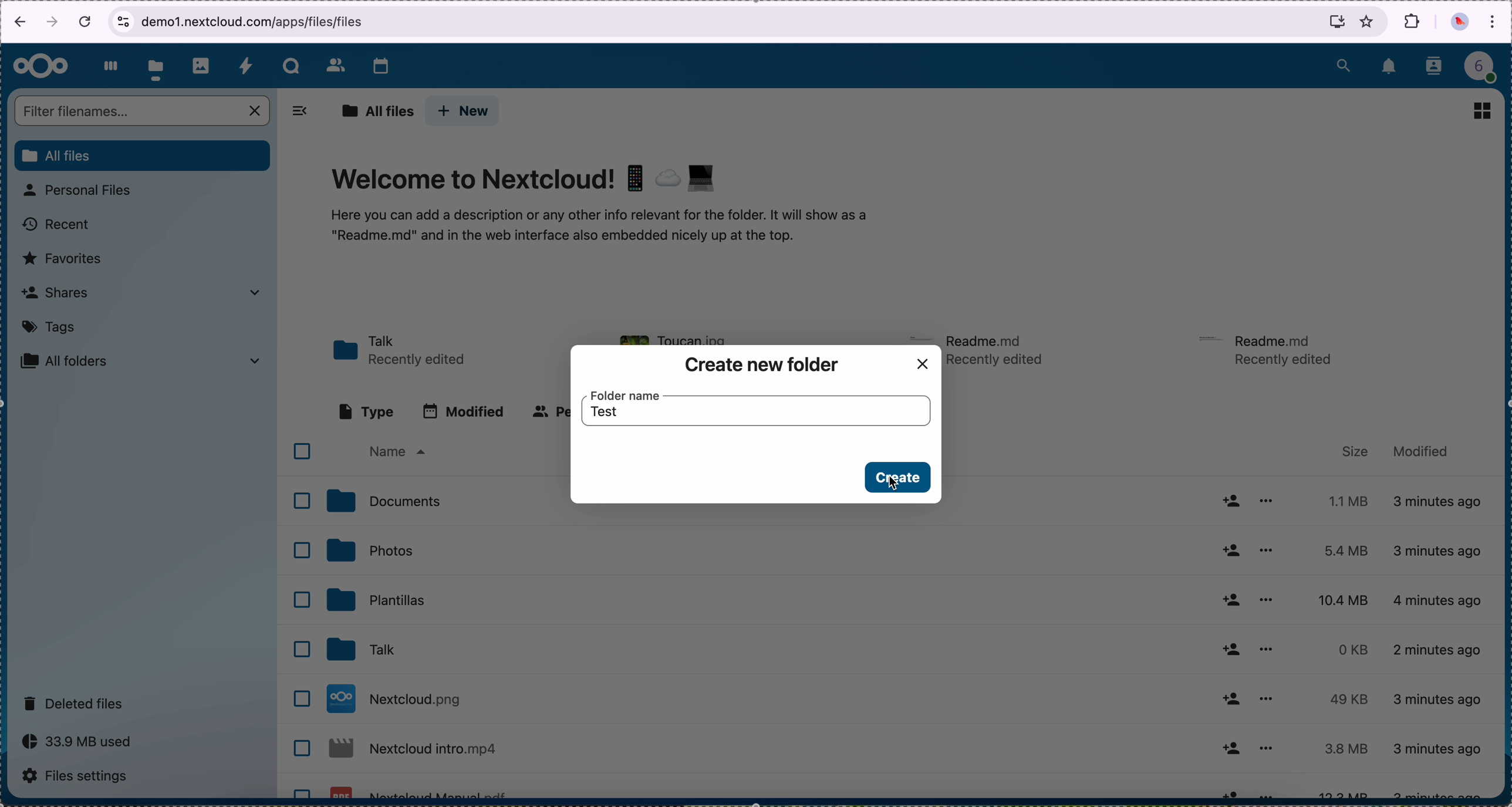 This screenshot has width=1512, height=807. Describe the element at coordinates (396, 453) in the screenshot. I see `name` at that location.